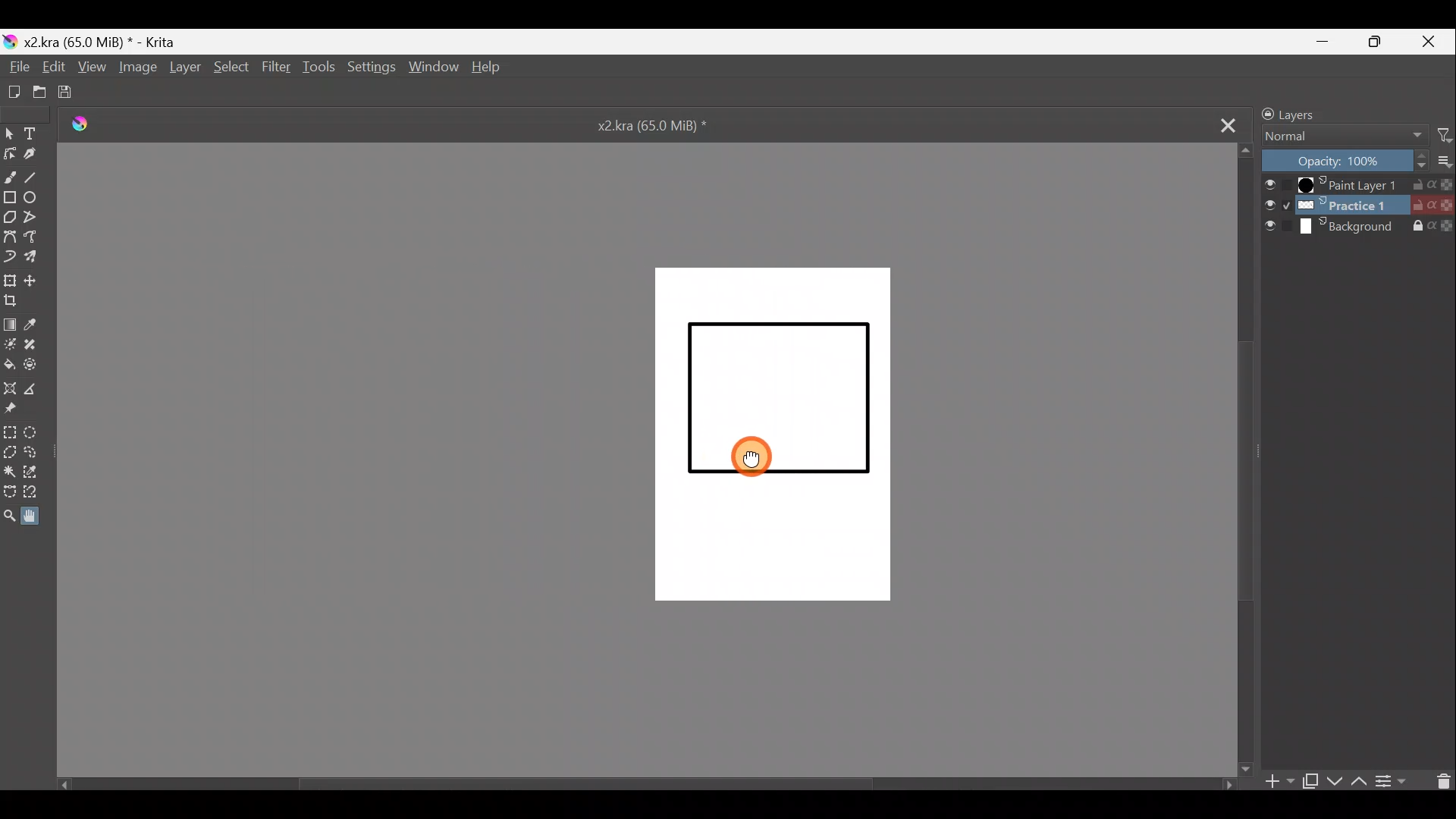 The height and width of the screenshot is (819, 1456). Describe the element at coordinates (43, 493) in the screenshot. I see `Magnetic curve selection tool` at that location.